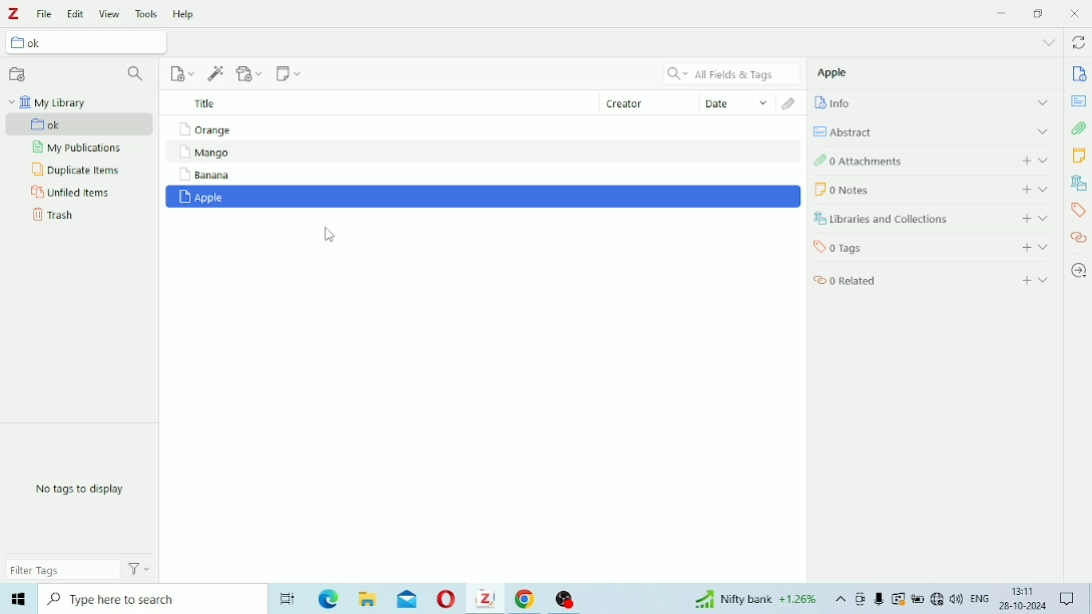  Describe the element at coordinates (892, 220) in the screenshot. I see `Libraries and collections` at that location.